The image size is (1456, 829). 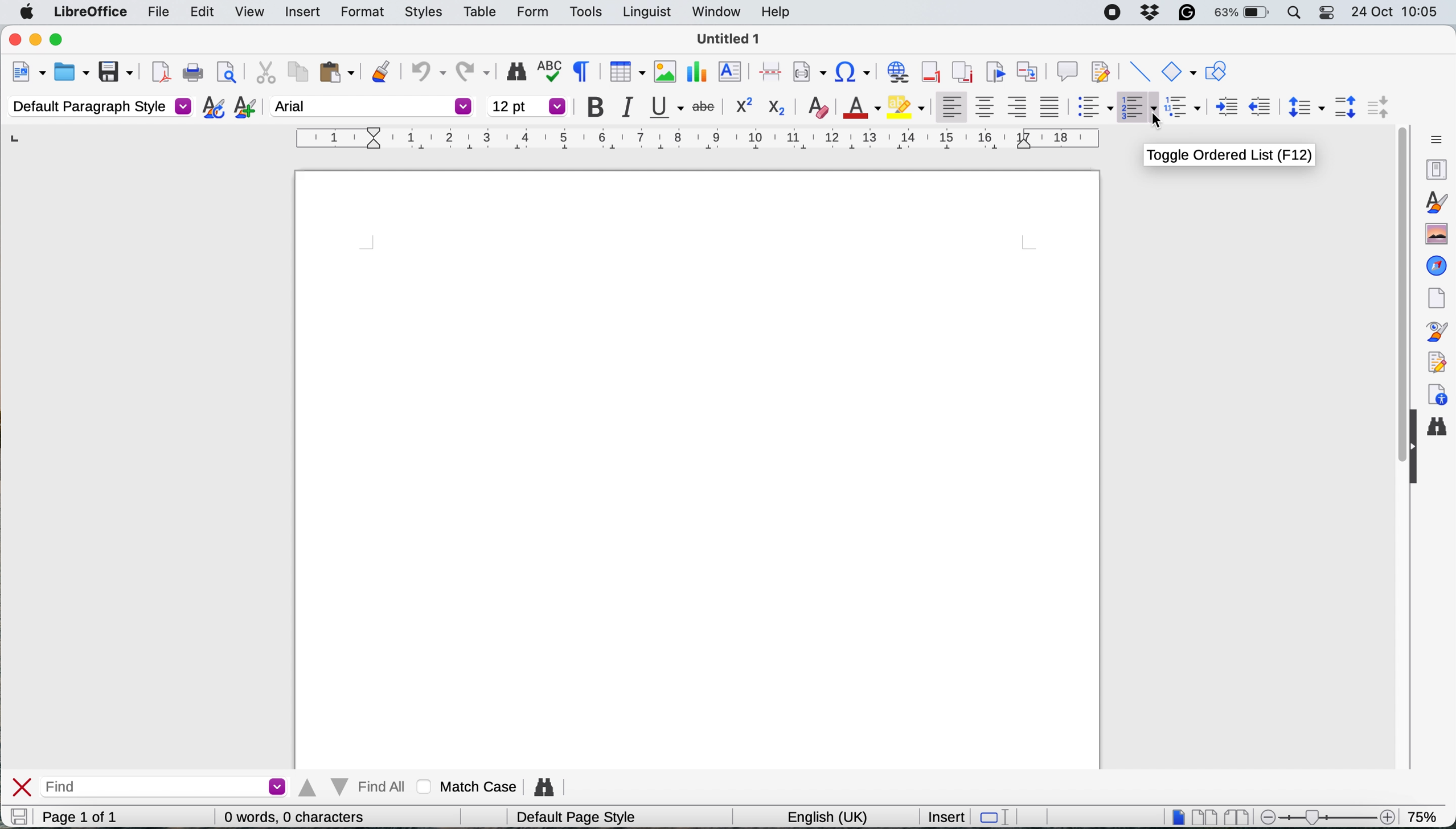 I want to click on accessibility checks, so click(x=1436, y=395).